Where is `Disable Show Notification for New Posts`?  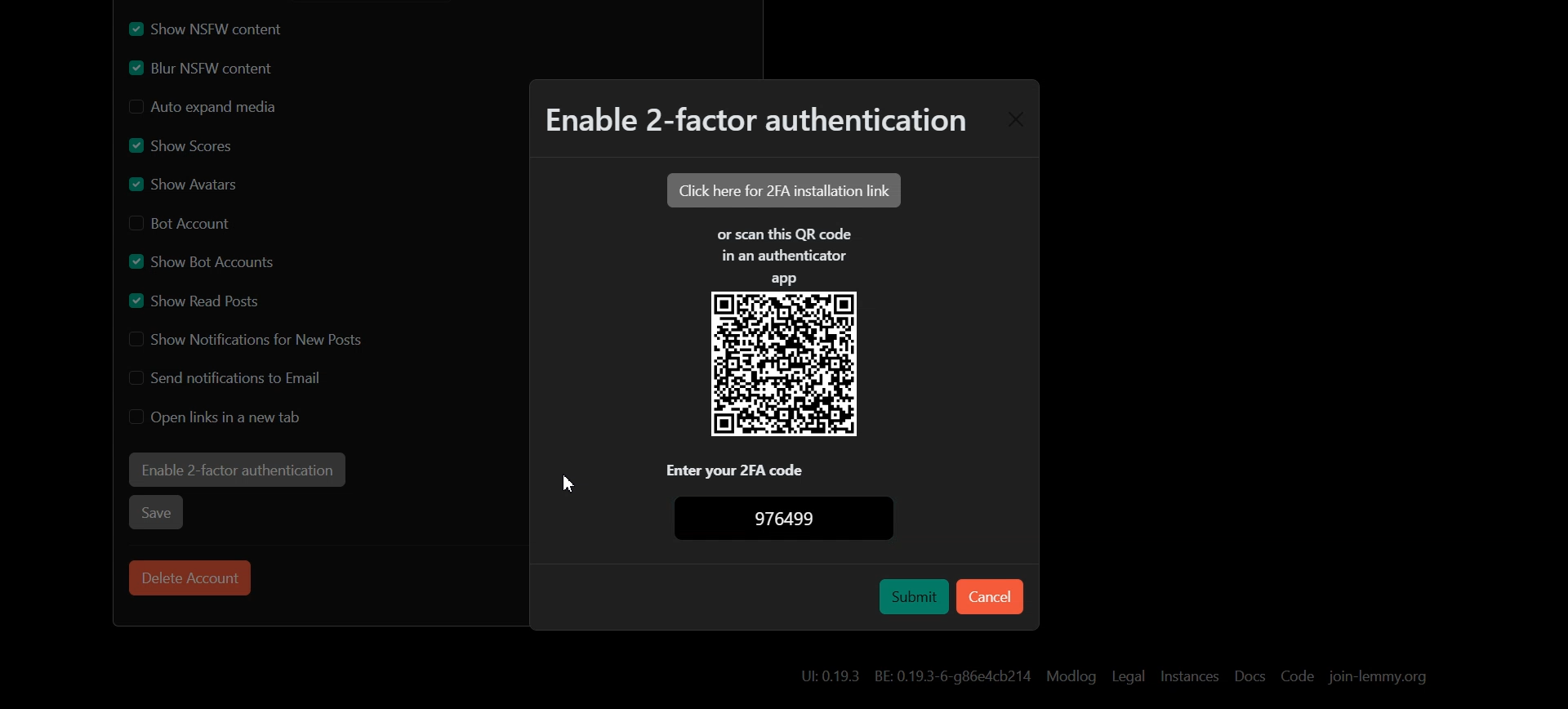 Disable Show Notification for New Posts is located at coordinates (247, 340).